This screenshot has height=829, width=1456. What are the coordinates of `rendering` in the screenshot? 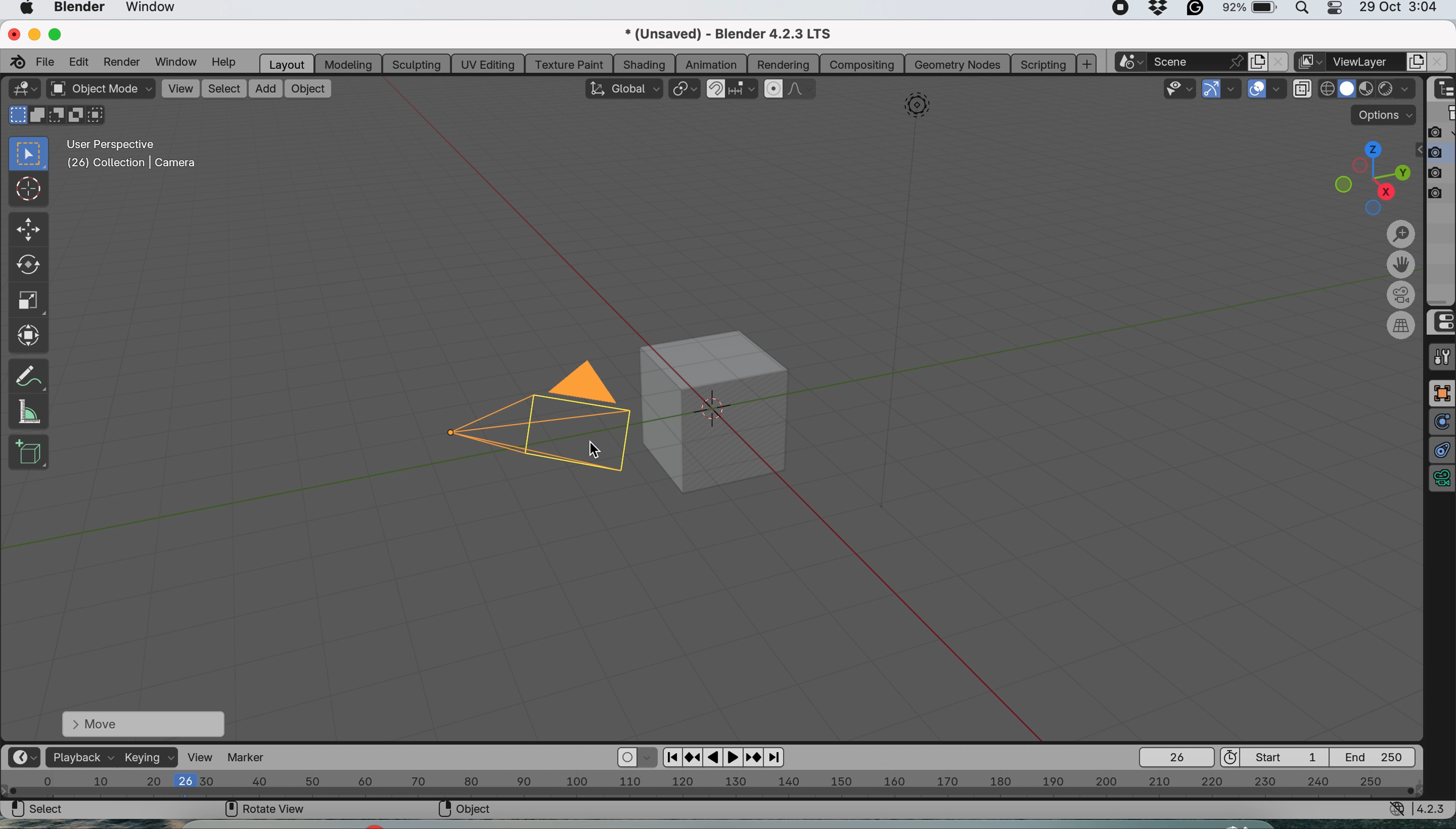 It's located at (784, 65).